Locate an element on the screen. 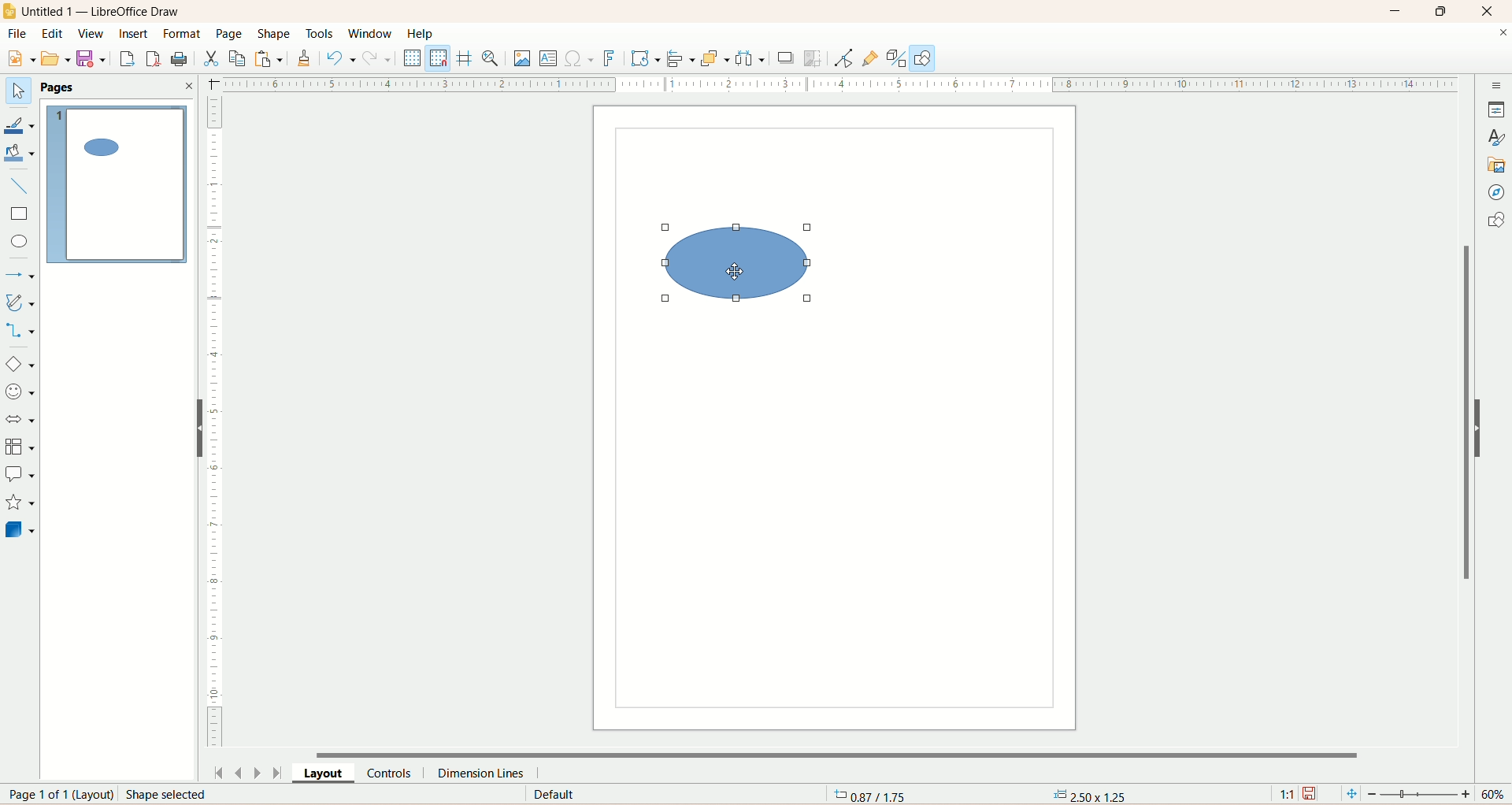  new is located at coordinates (23, 59).